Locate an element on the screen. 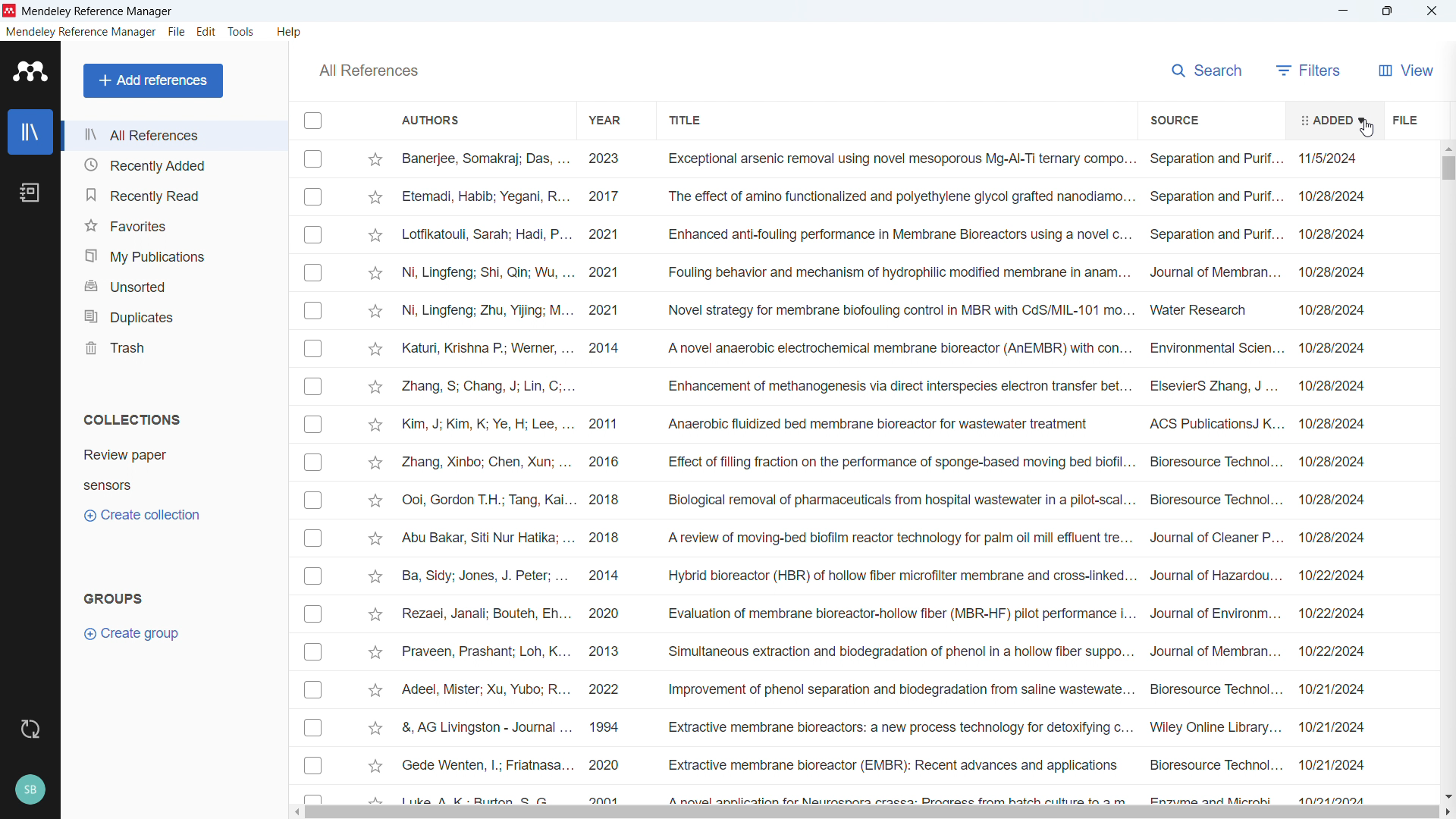 The width and height of the screenshot is (1456, 819). review paper is located at coordinates (124, 454).